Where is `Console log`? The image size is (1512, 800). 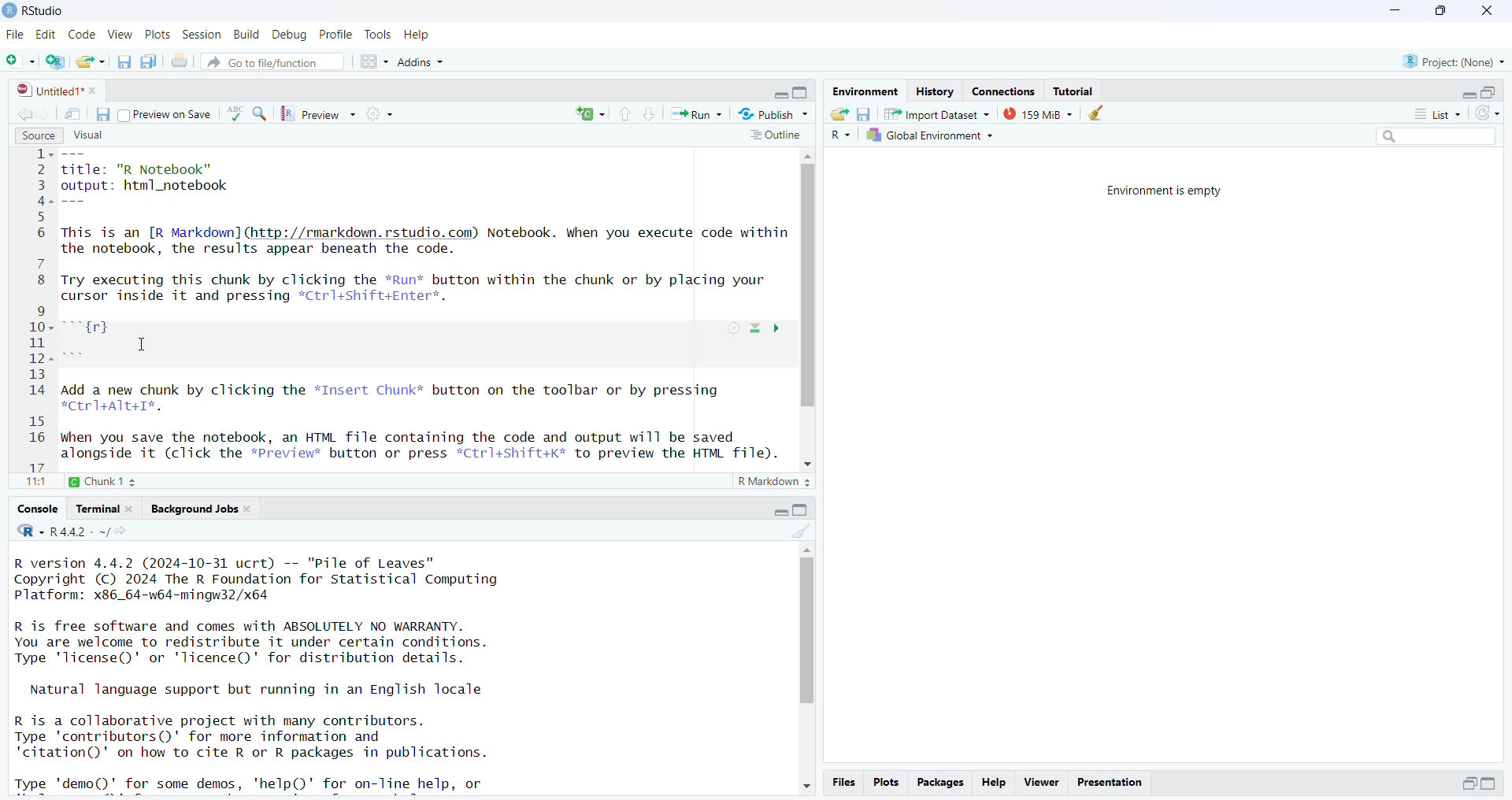
Console log is located at coordinates (275, 671).